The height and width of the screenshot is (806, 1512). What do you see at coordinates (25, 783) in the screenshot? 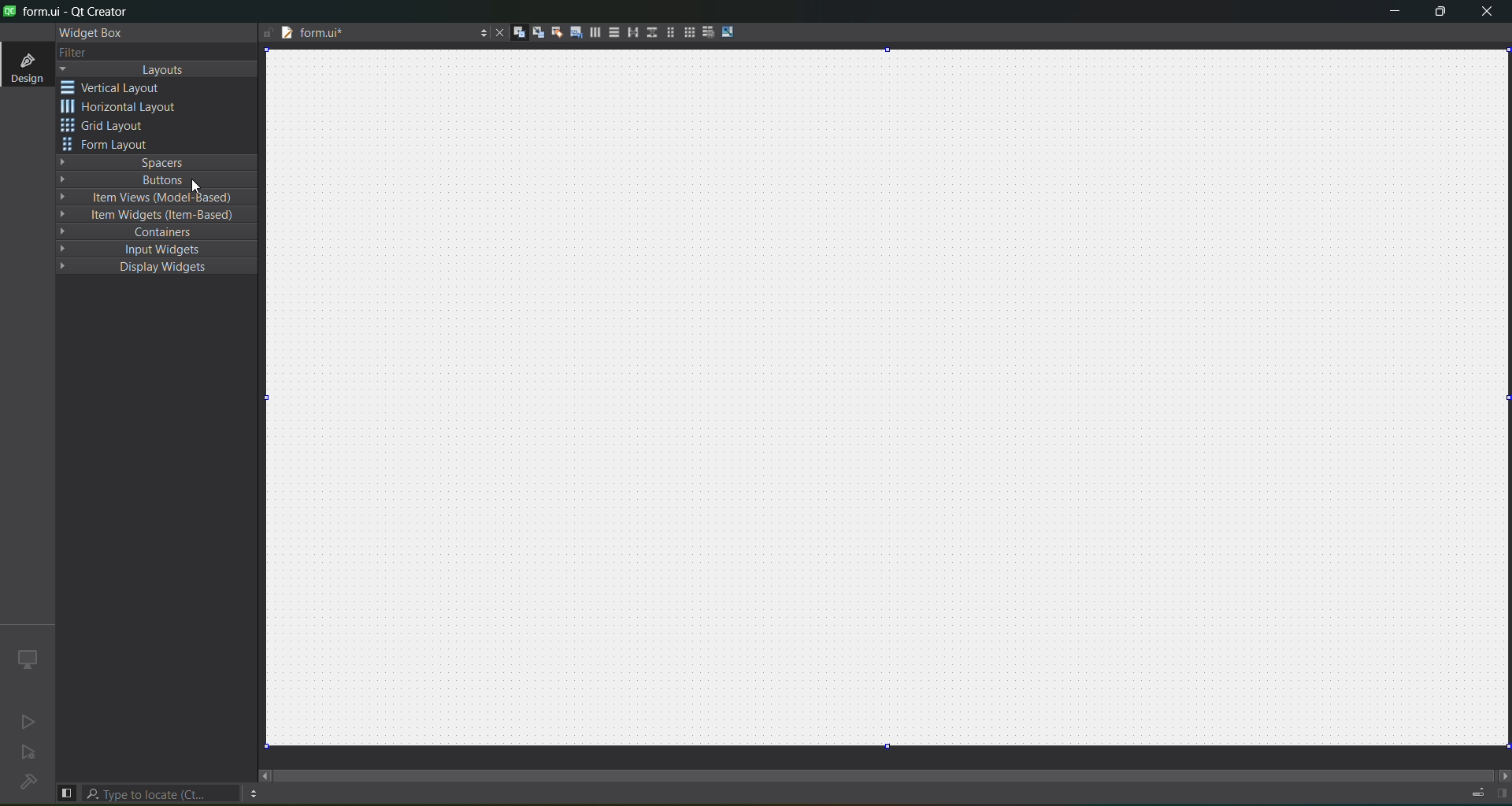
I see `no project loading` at bounding box center [25, 783].